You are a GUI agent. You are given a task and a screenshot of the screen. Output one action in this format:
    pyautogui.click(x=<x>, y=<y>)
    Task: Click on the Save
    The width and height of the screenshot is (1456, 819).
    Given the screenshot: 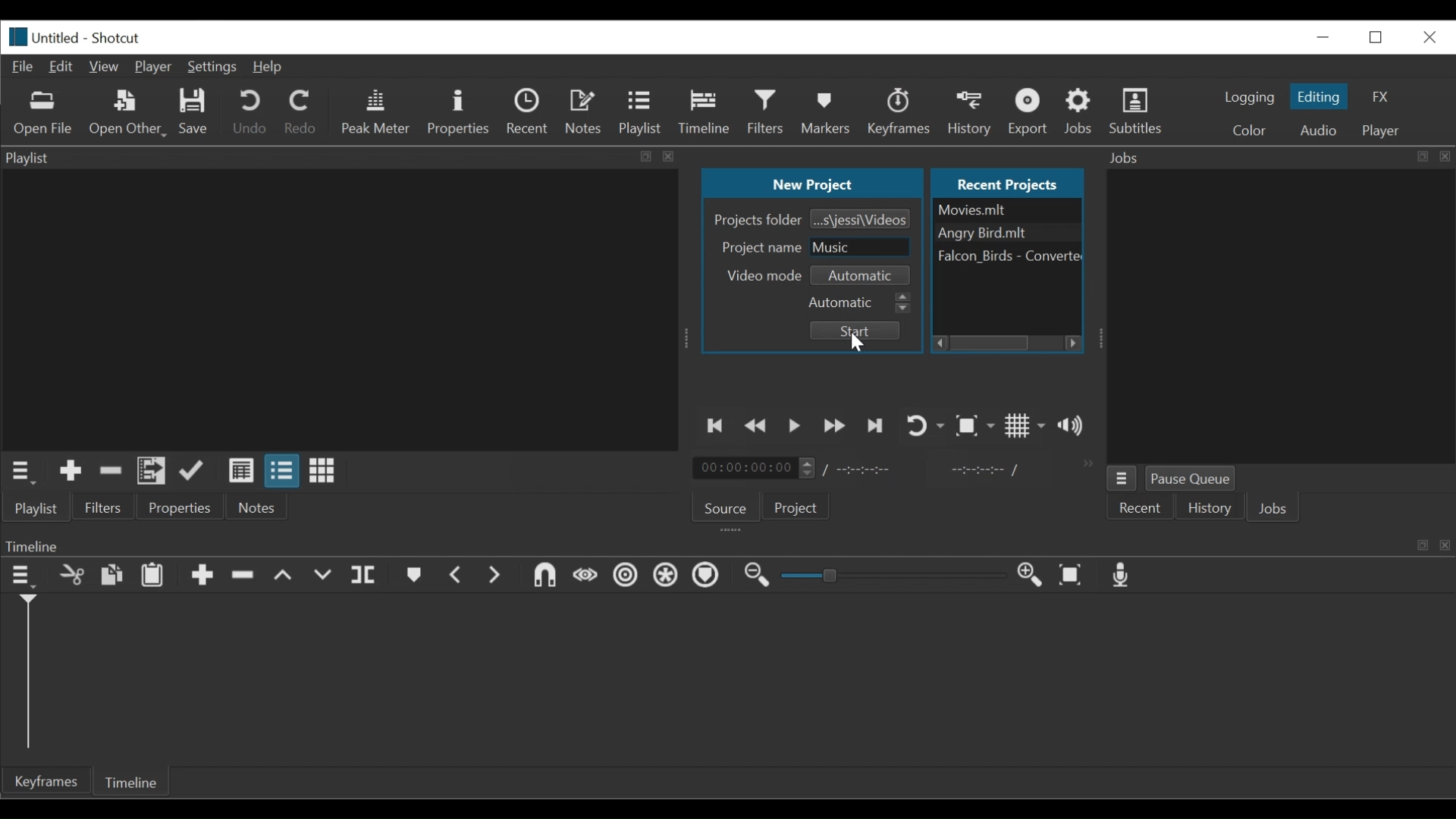 What is the action you would take?
    pyautogui.click(x=194, y=113)
    